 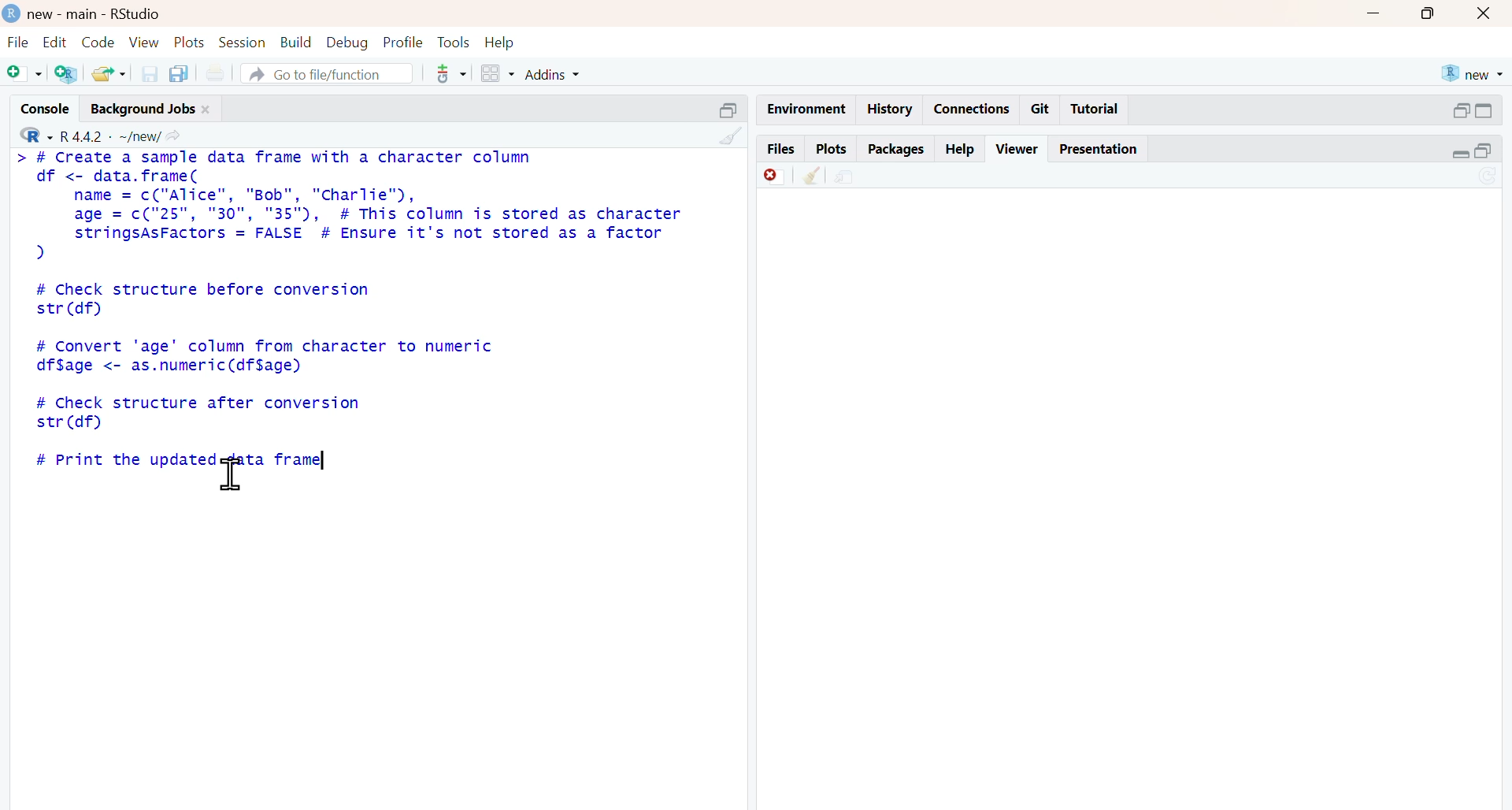 What do you see at coordinates (404, 43) in the screenshot?
I see `profile` at bounding box center [404, 43].